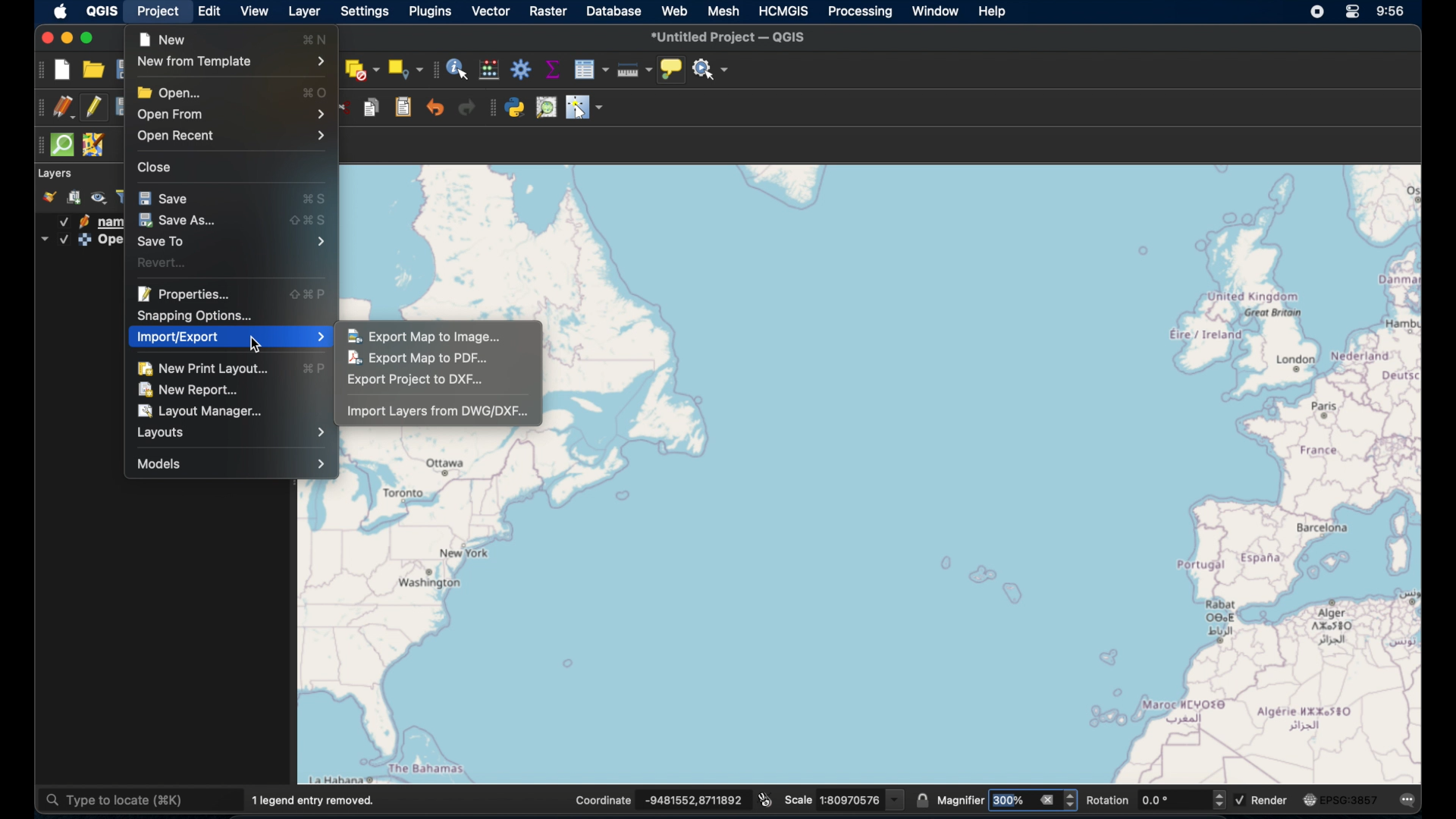 The image size is (1456, 819). What do you see at coordinates (1354, 11) in the screenshot?
I see `control center` at bounding box center [1354, 11].